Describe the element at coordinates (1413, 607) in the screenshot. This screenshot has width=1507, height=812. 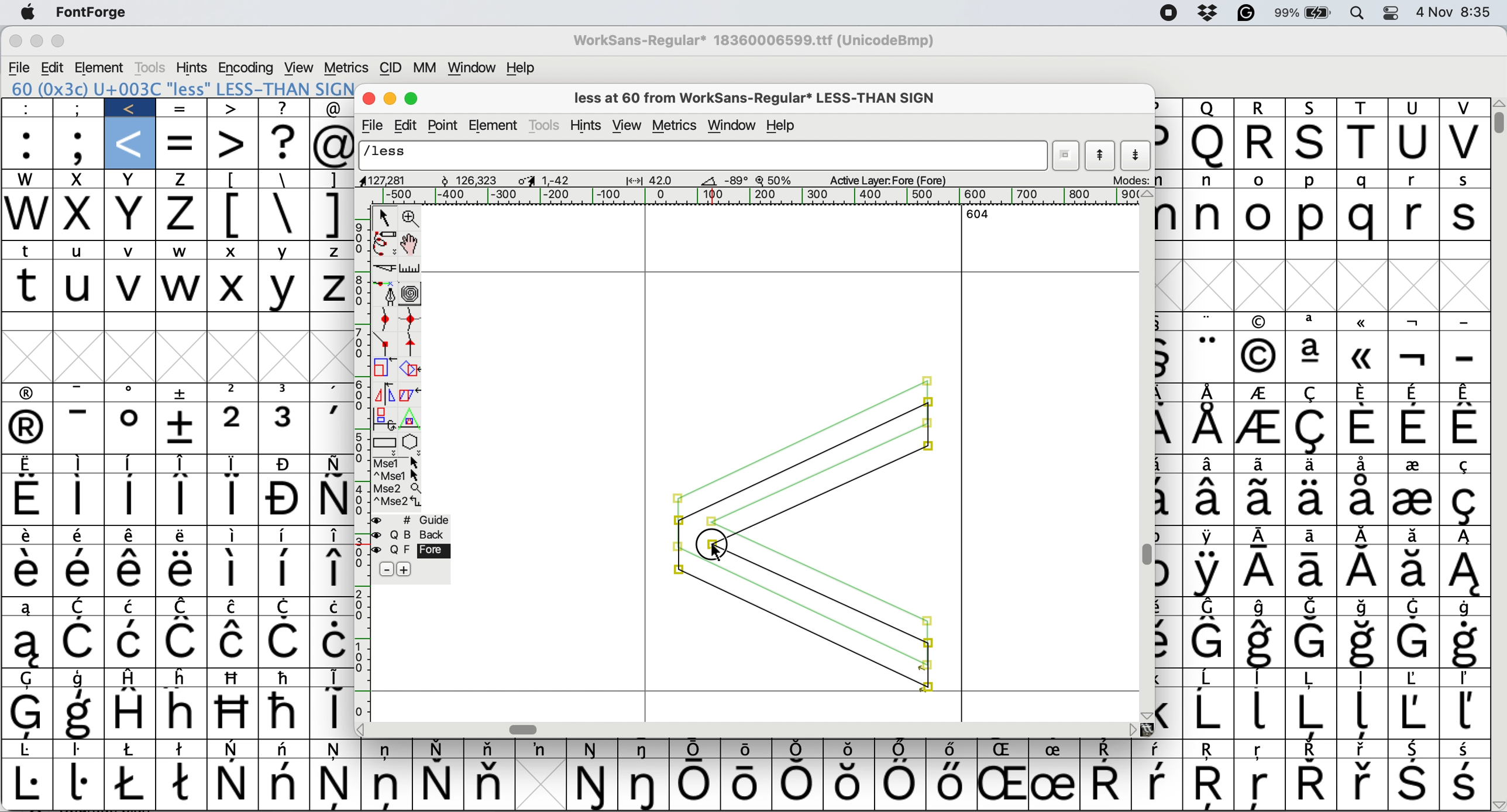
I see `Symbol` at that location.